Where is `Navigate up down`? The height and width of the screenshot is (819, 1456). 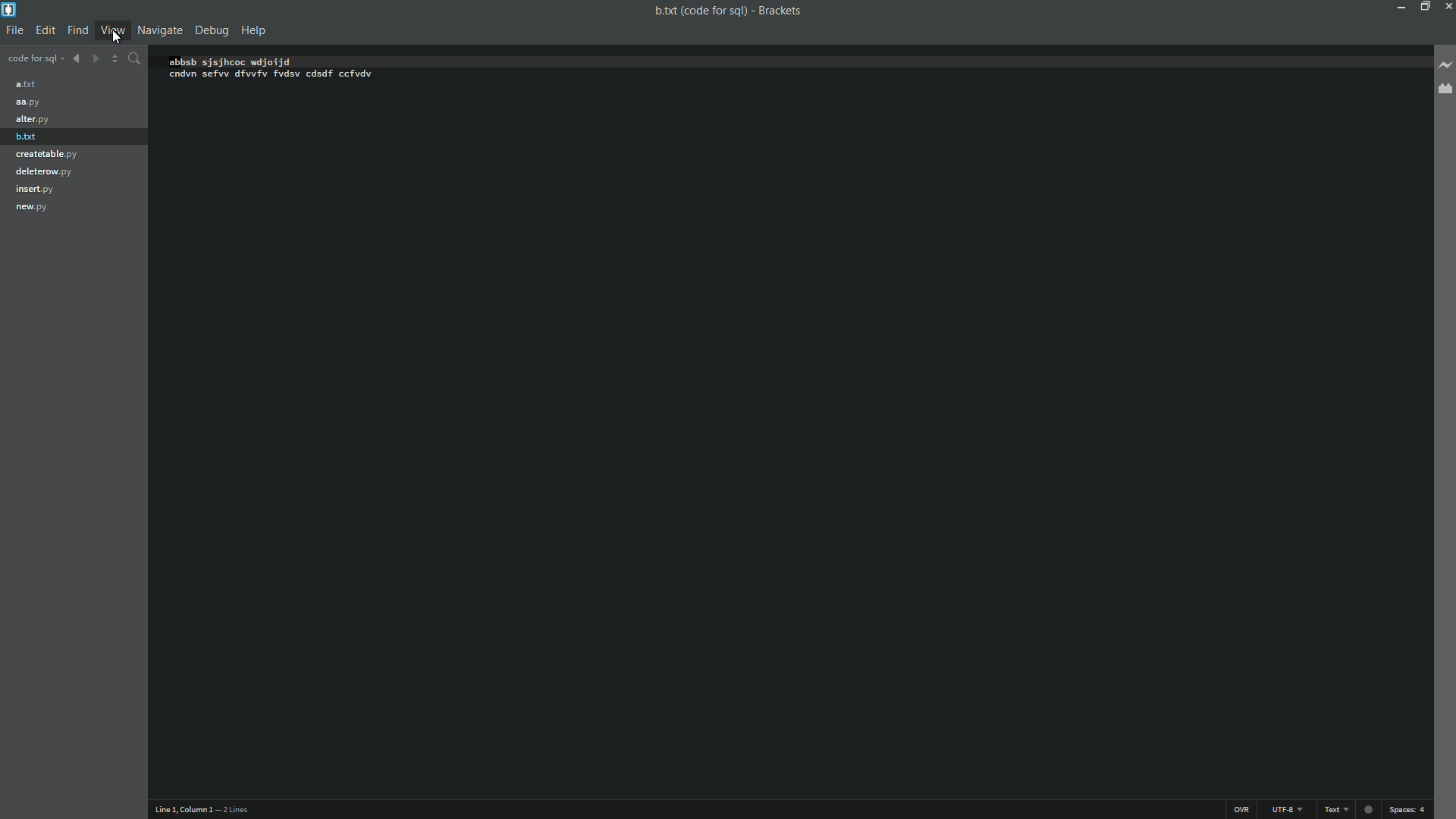
Navigate up down is located at coordinates (118, 57).